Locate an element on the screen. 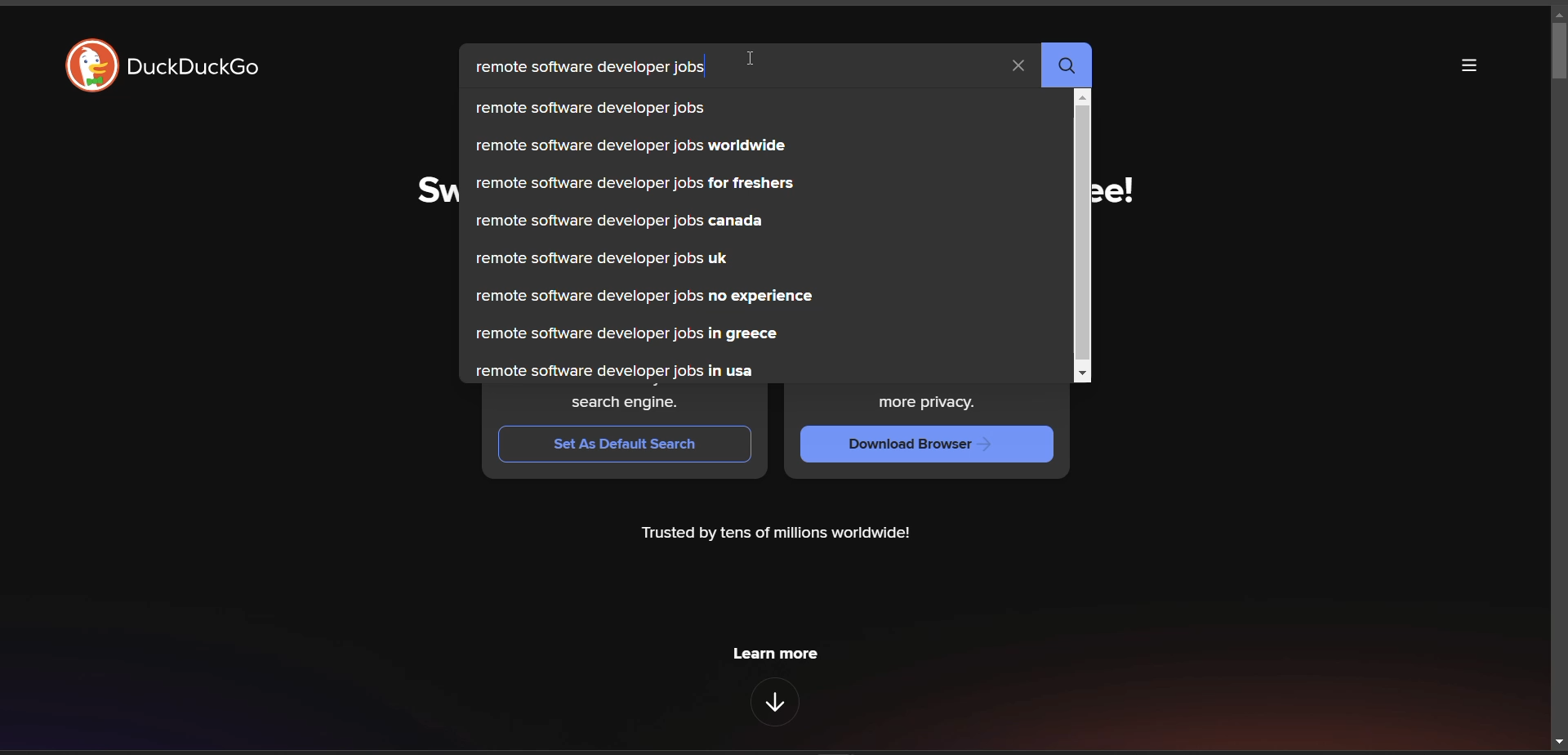 The height and width of the screenshot is (755, 1568). remote software developer jobs uk is located at coordinates (604, 257).